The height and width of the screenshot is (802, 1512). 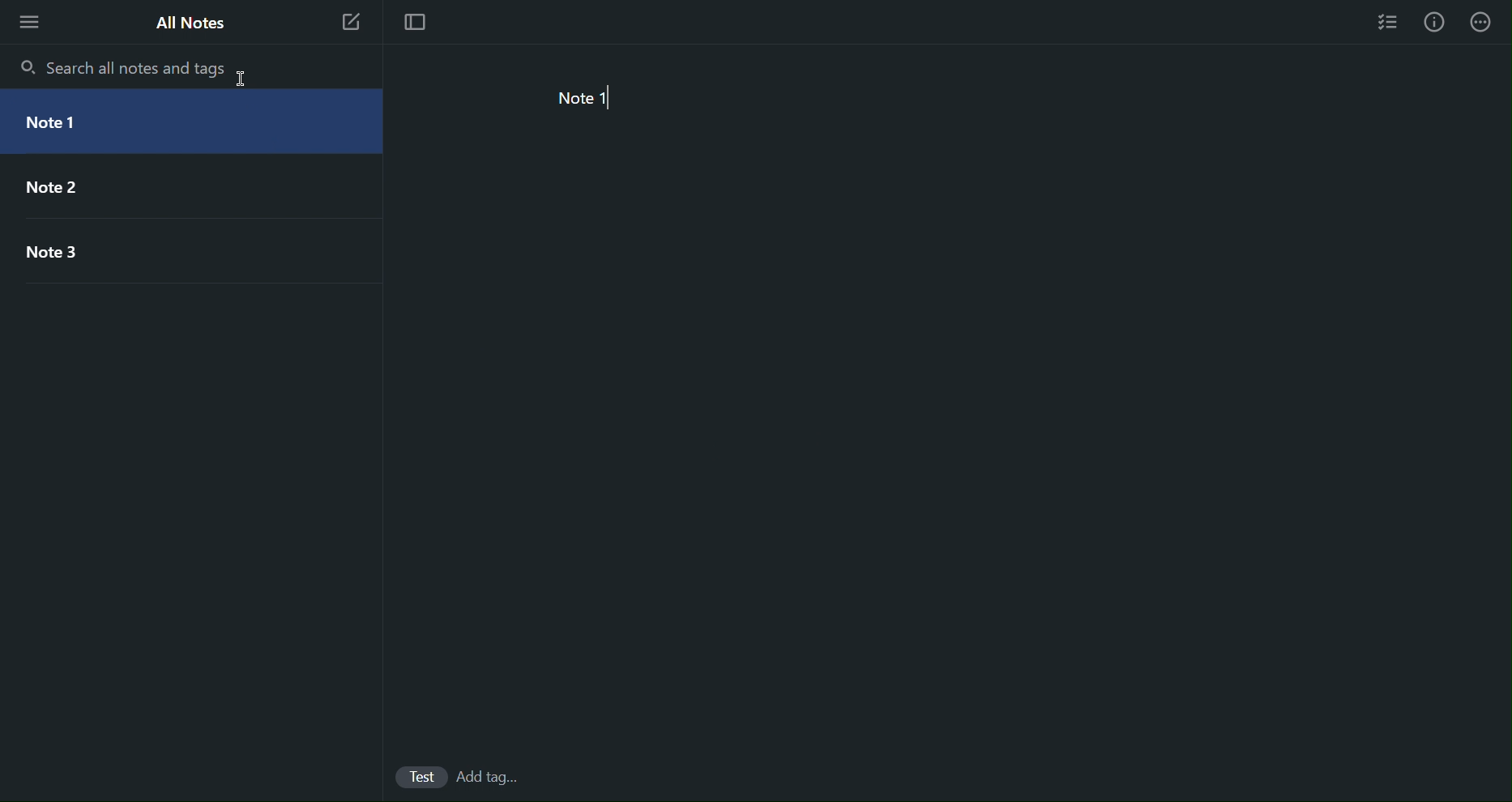 What do you see at coordinates (414, 23) in the screenshot?
I see `Focus Mode` at bounding box center [414, 23].